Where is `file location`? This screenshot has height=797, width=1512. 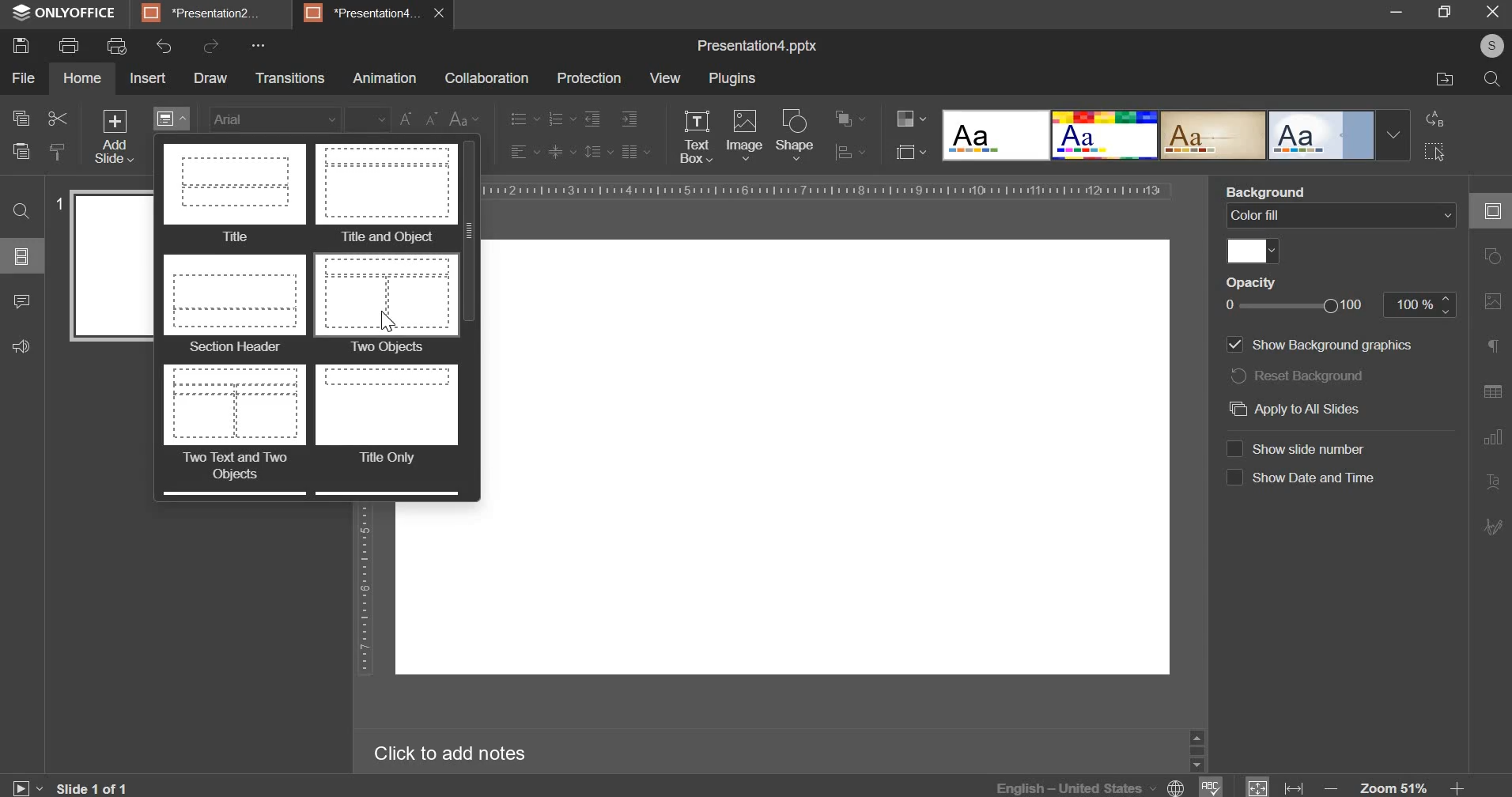 file location is located at coordinates (1445, 80).